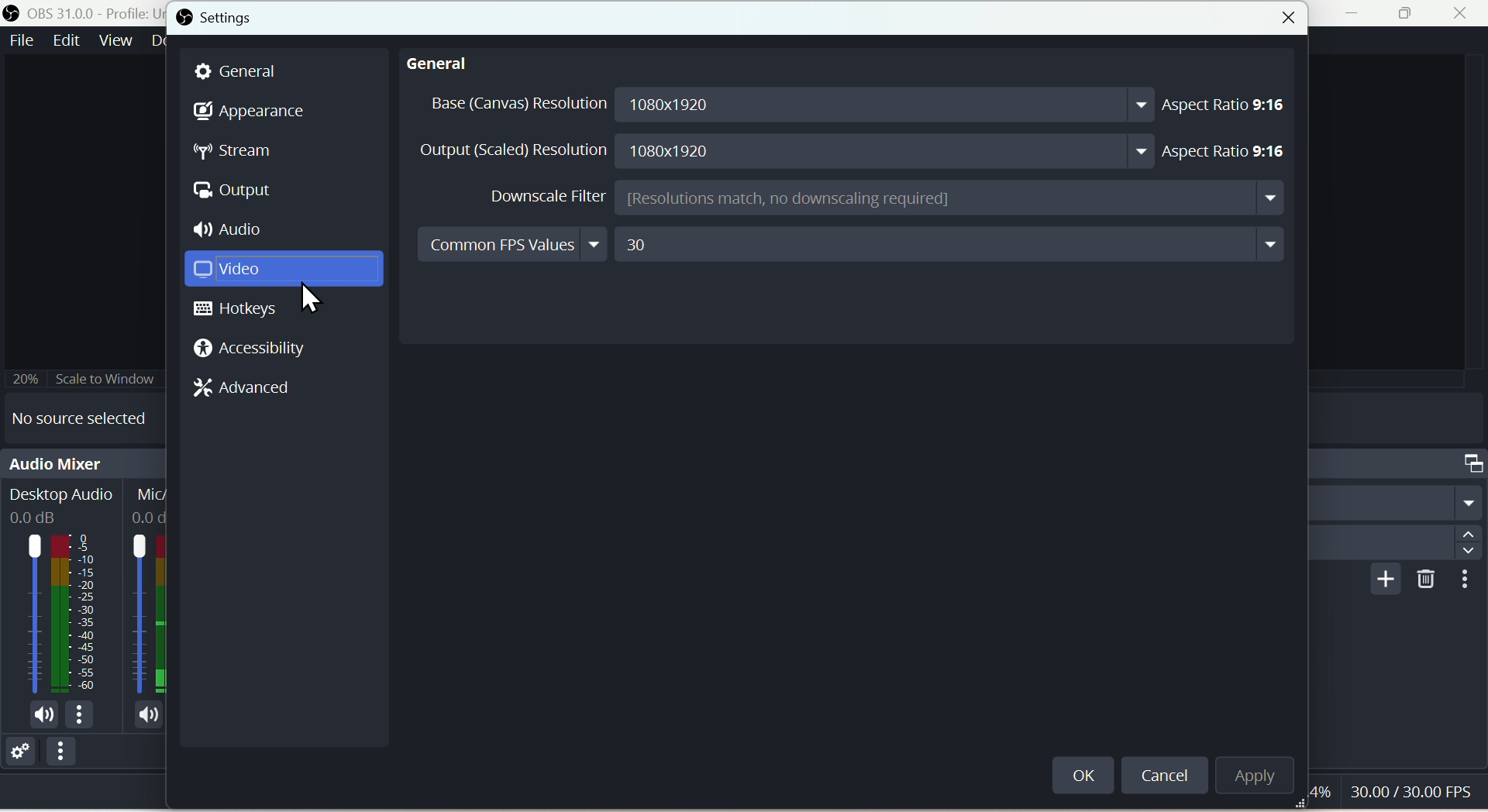 The width and height of the screenshot is (1488, 812). I want to click on Audio mixer, so click(83, 461).